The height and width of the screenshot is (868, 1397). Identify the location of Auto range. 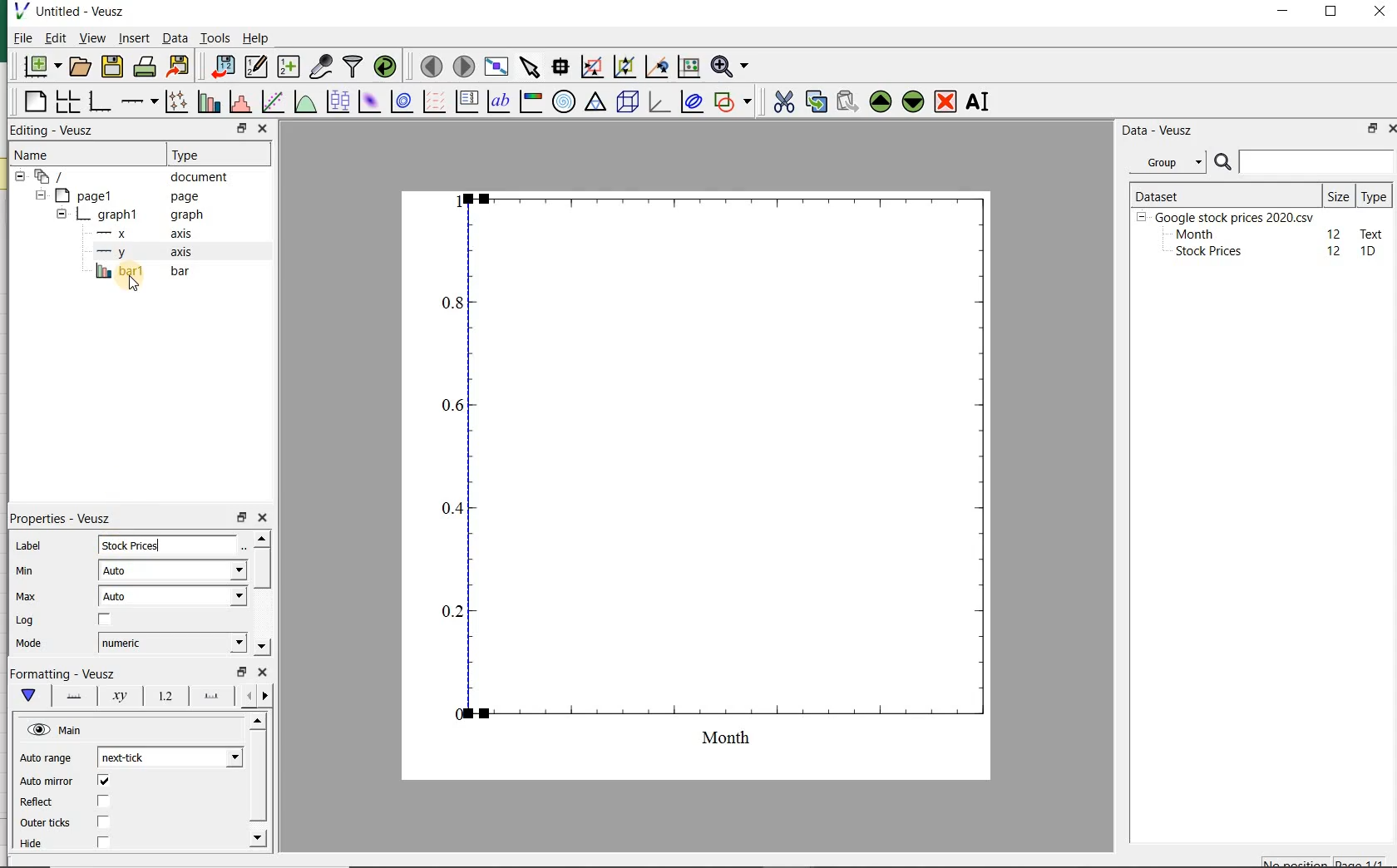
(46, 759).